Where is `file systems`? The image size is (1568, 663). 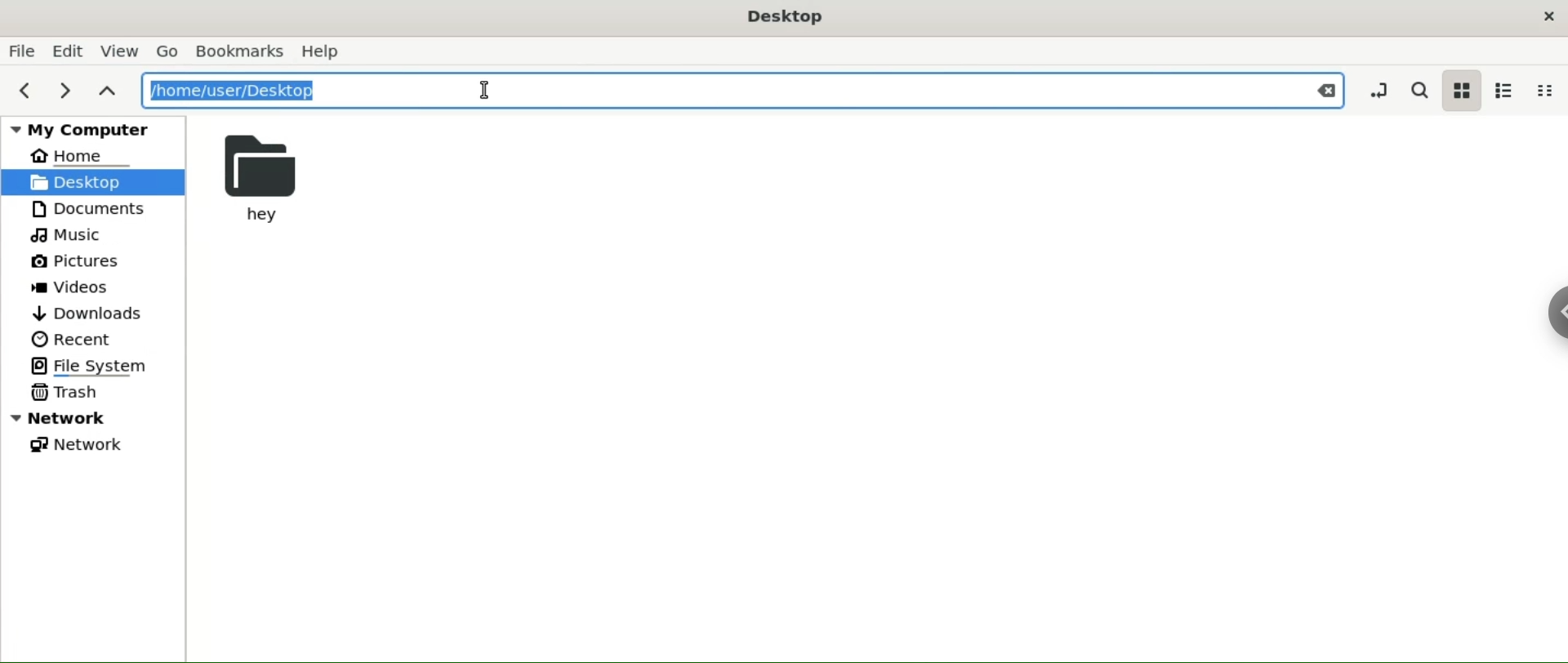 file systems is located at coordinates (104, 365).